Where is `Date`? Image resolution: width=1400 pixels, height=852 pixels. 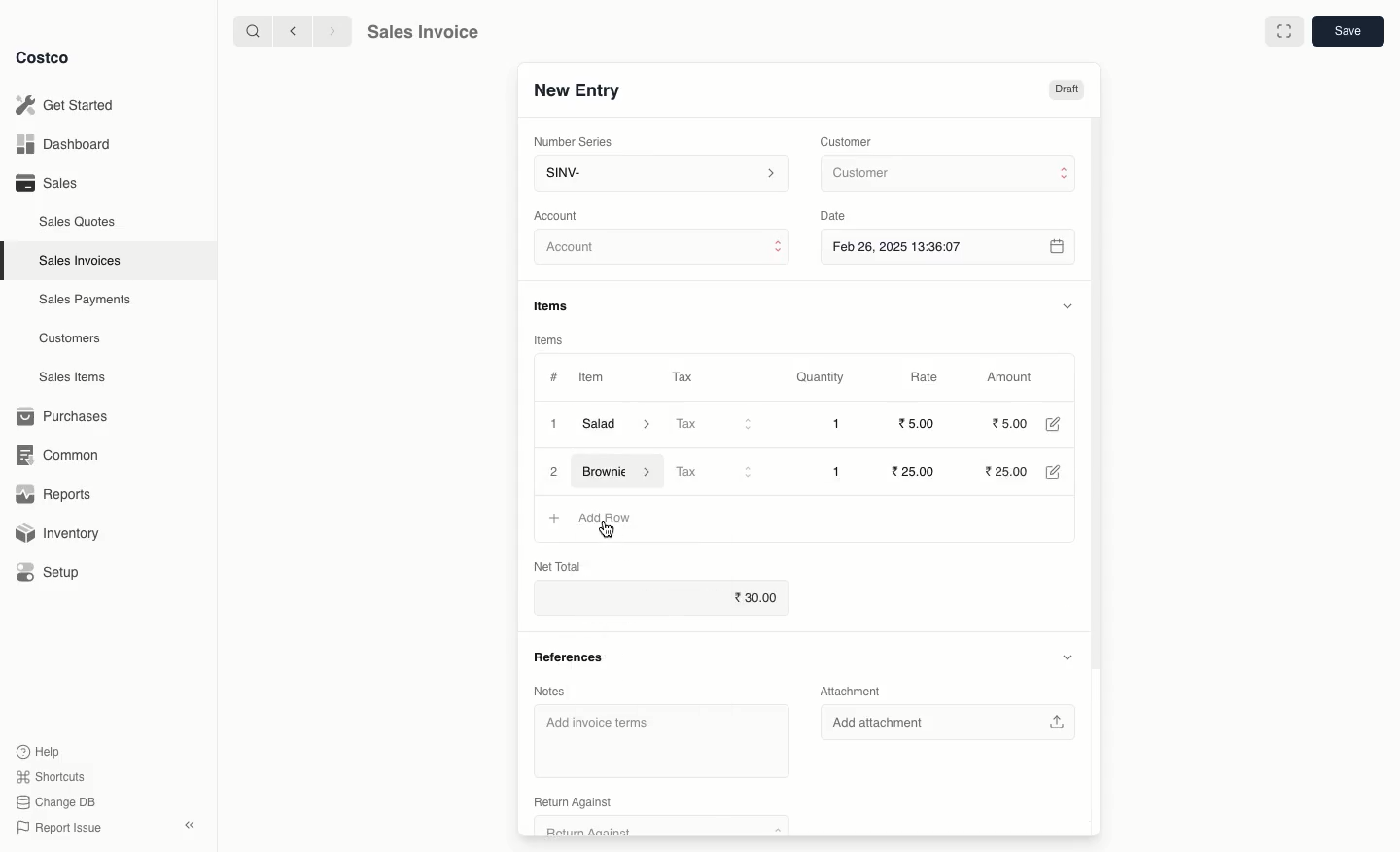 Date is located at coordinates (838, 216).